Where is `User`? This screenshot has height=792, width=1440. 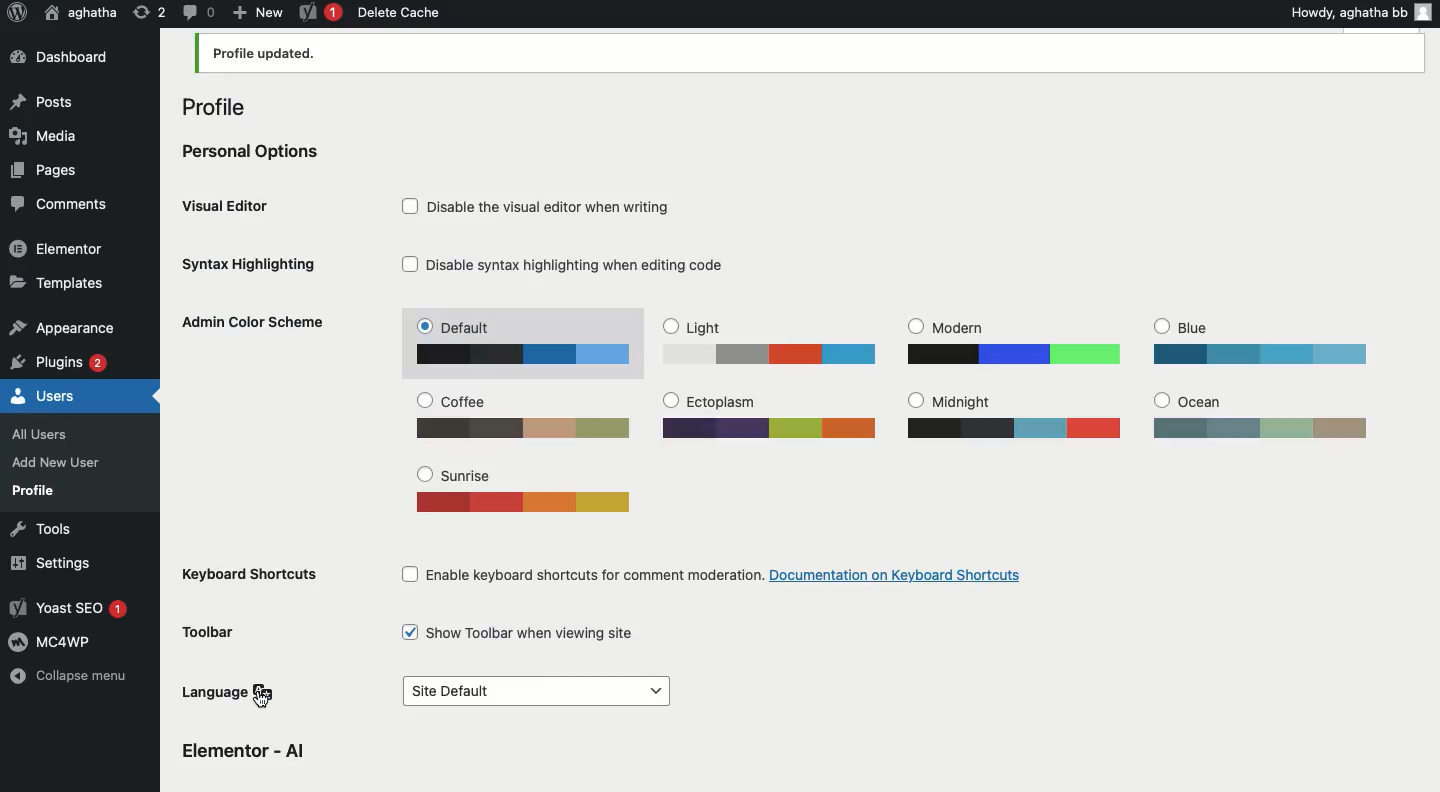 User is located at coordinates (82, 12).